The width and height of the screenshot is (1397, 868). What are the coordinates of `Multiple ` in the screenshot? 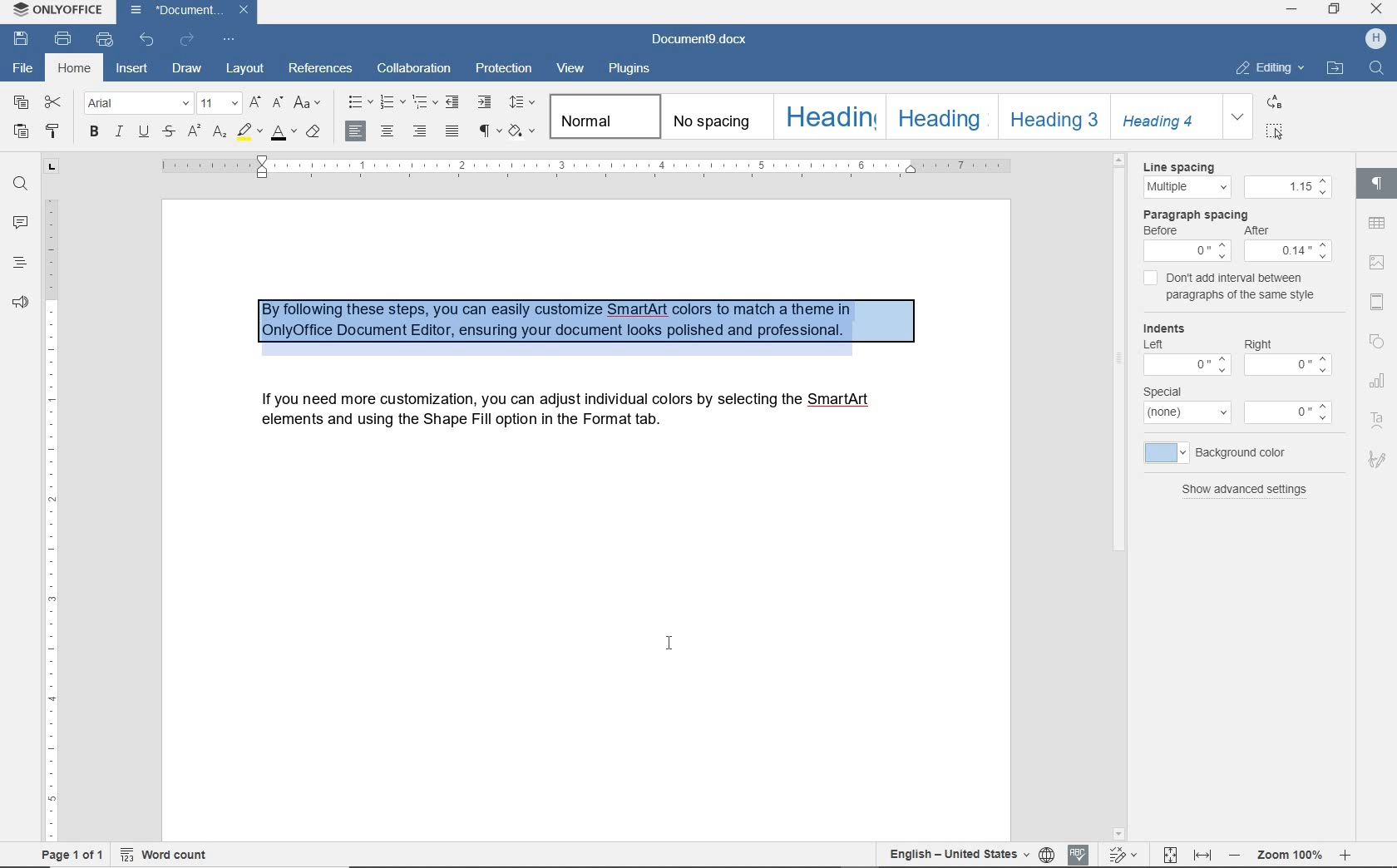 It's located at (1182, 187).